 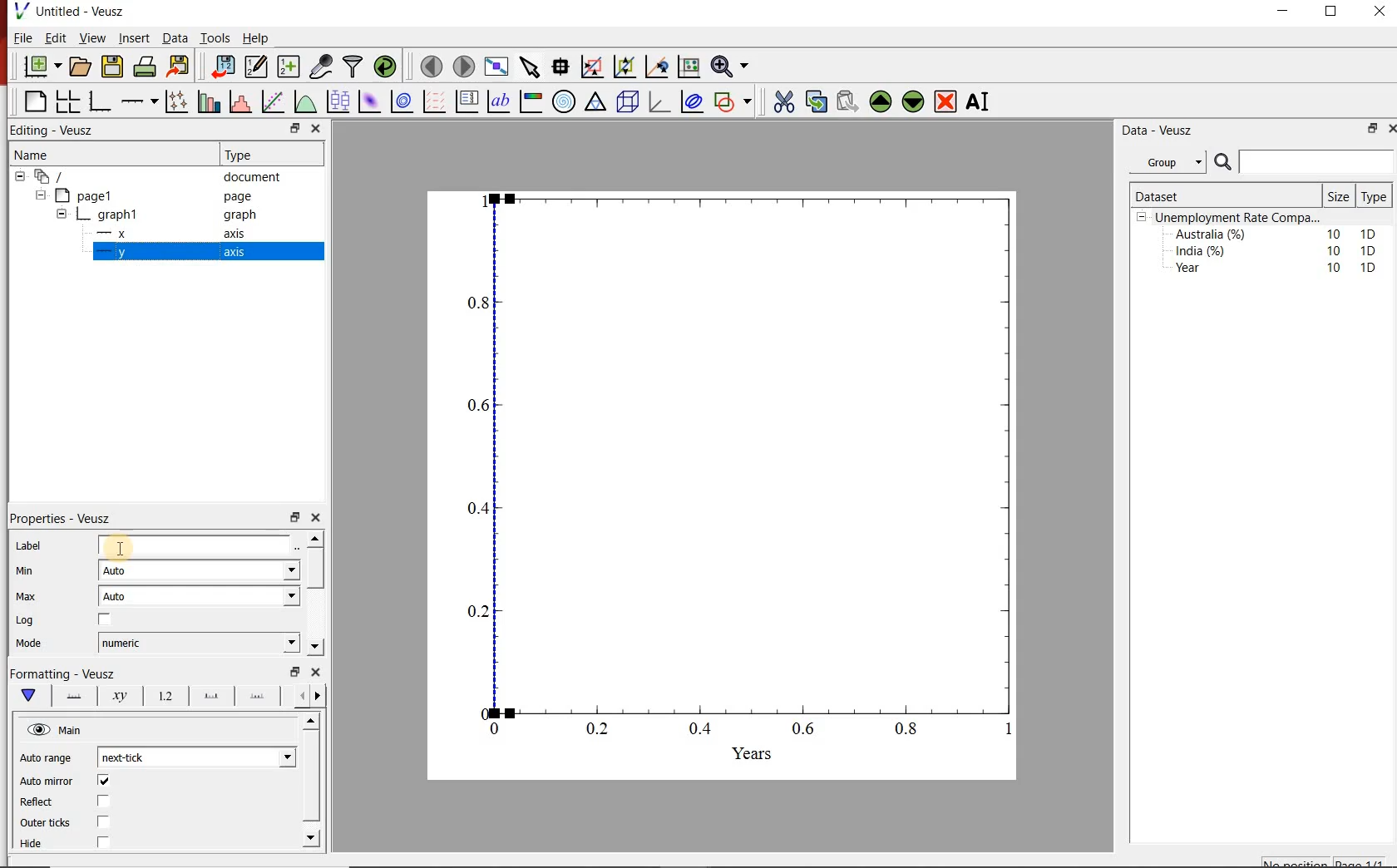 What do you see at coordinates (81, 67) in the screenshot?
I see `open document` at bounding box center [81, 67].